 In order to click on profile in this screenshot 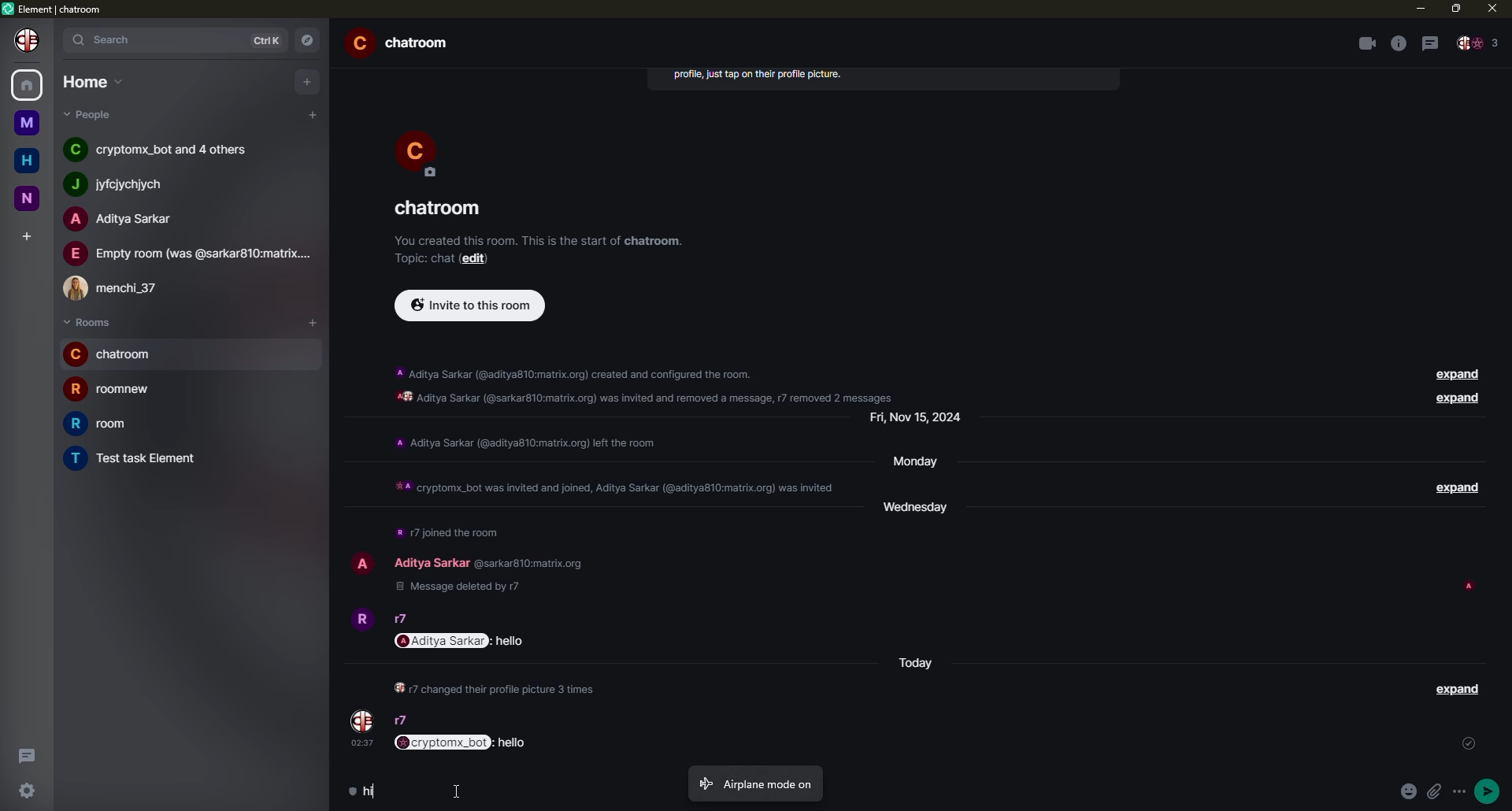, I will do `click(360, 620)`.